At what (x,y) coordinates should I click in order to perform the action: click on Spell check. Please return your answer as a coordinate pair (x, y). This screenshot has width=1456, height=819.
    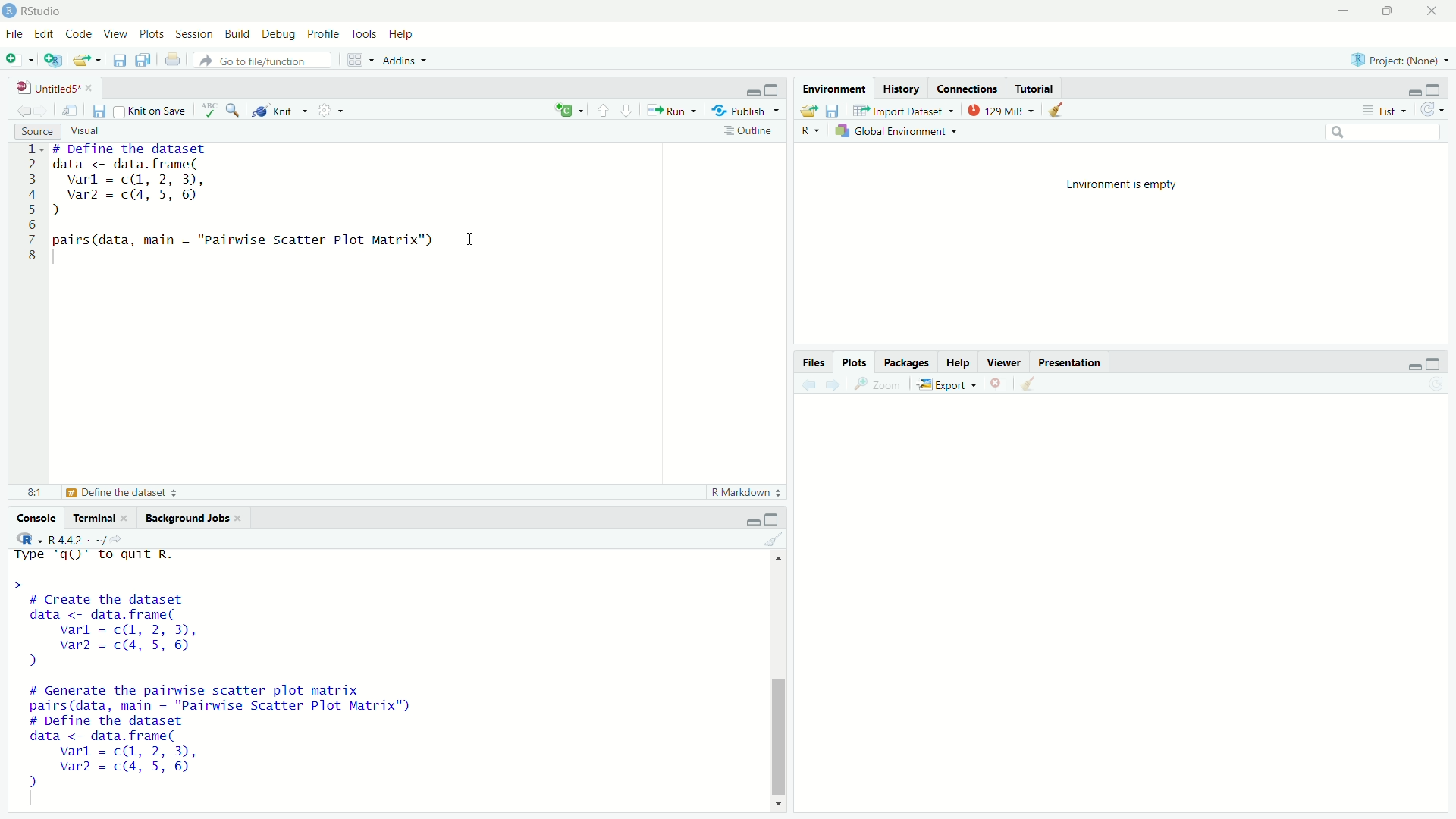
    Looking at the image, I should click on (209, 111).